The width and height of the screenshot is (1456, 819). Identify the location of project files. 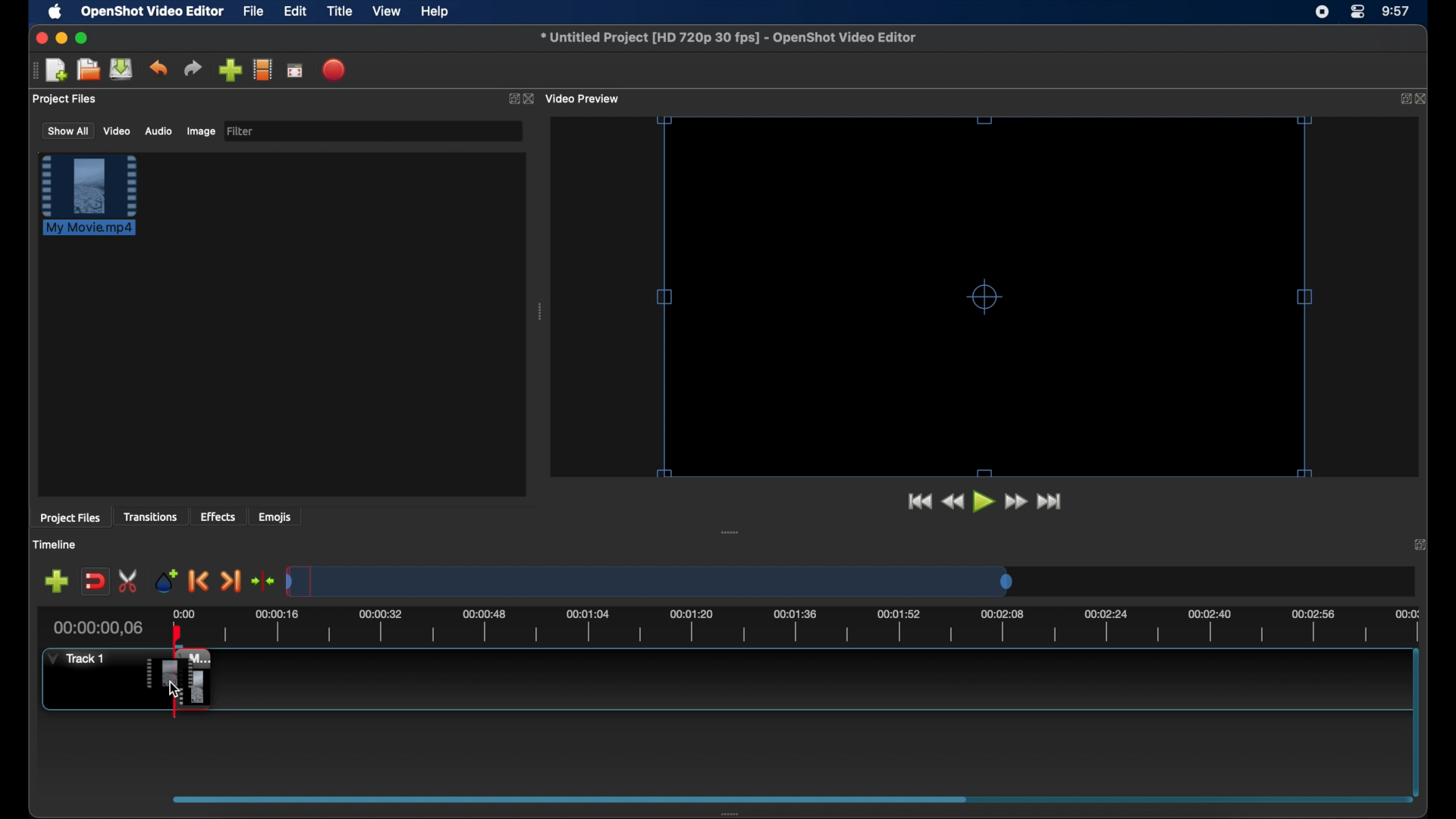
(70, 518).